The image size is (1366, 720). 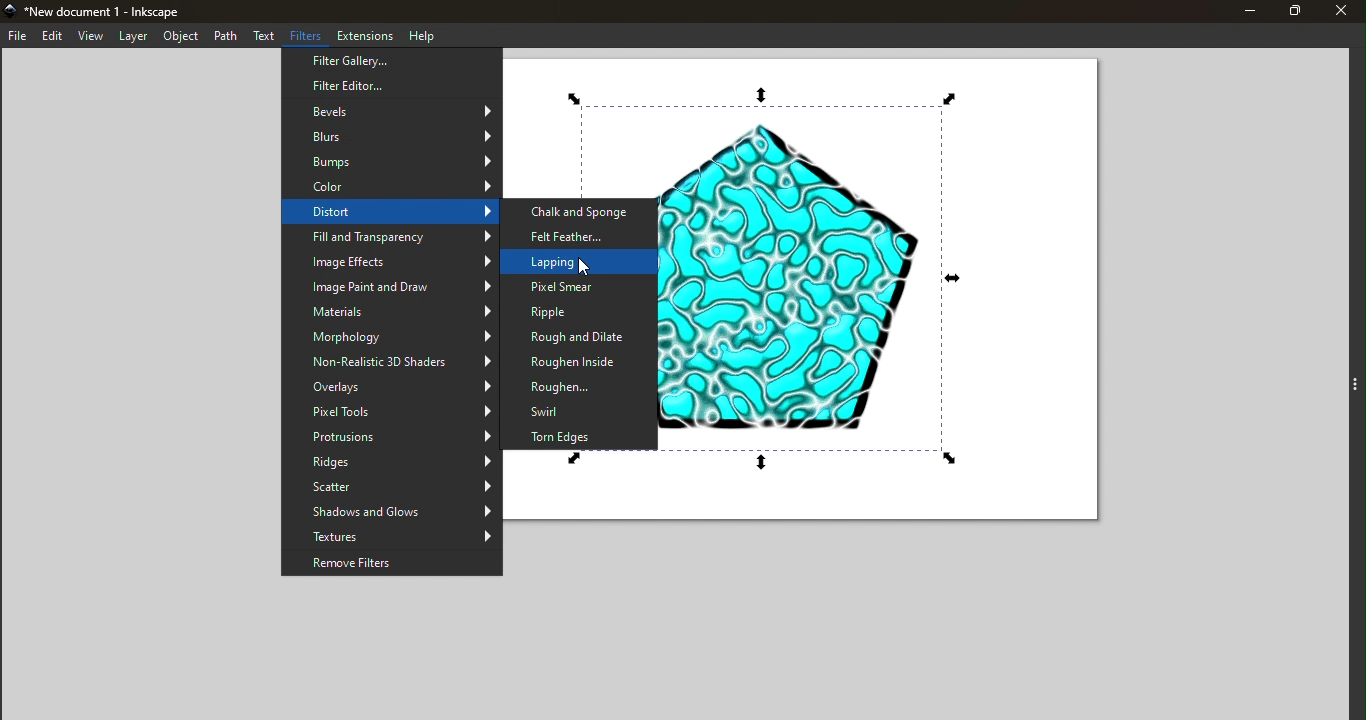 I want to click on Swirl, so click(x=580, y=410).